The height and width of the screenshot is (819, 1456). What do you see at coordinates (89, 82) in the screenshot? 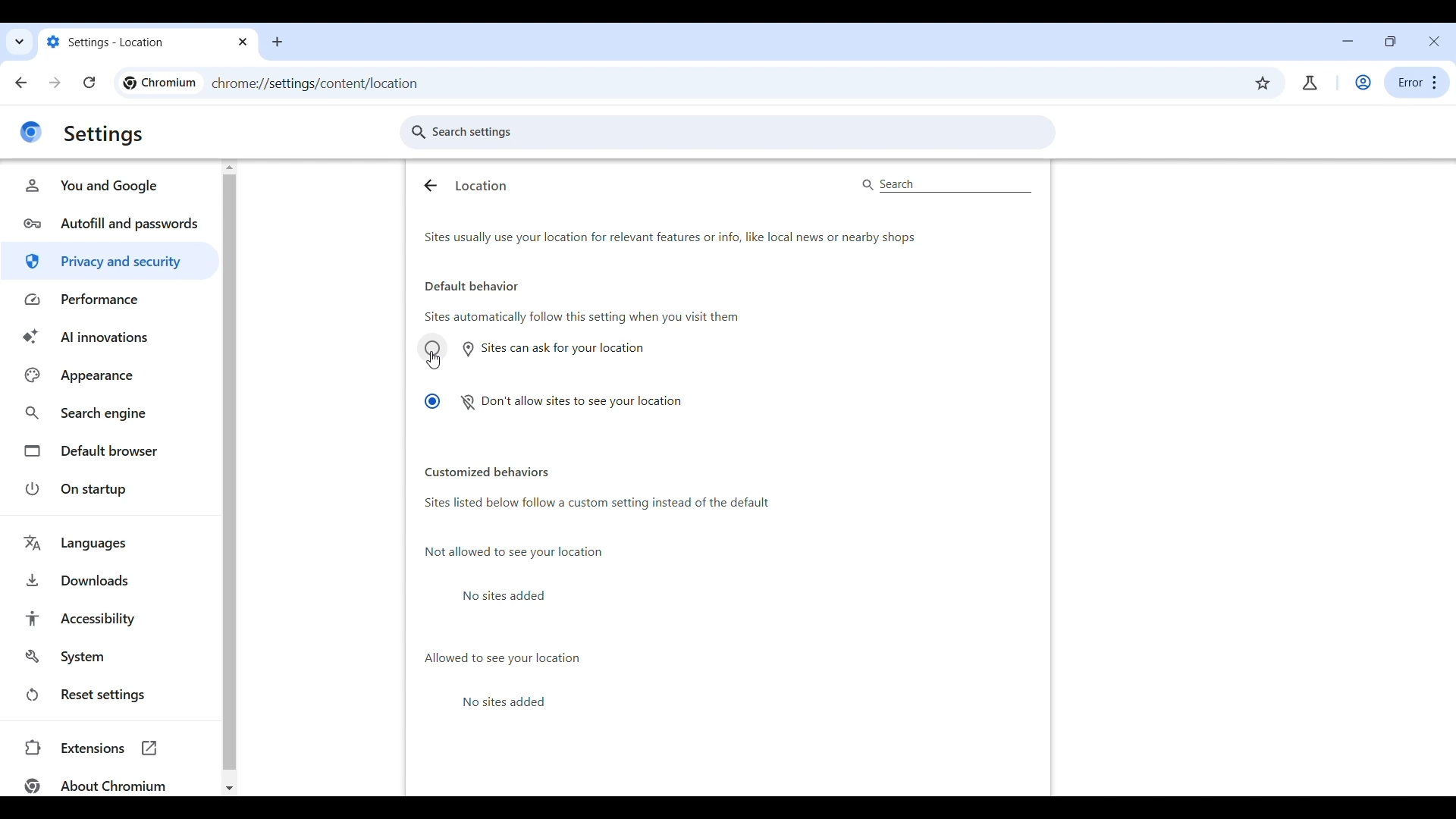
I see `Reload page` at bounding box center [89, 82].